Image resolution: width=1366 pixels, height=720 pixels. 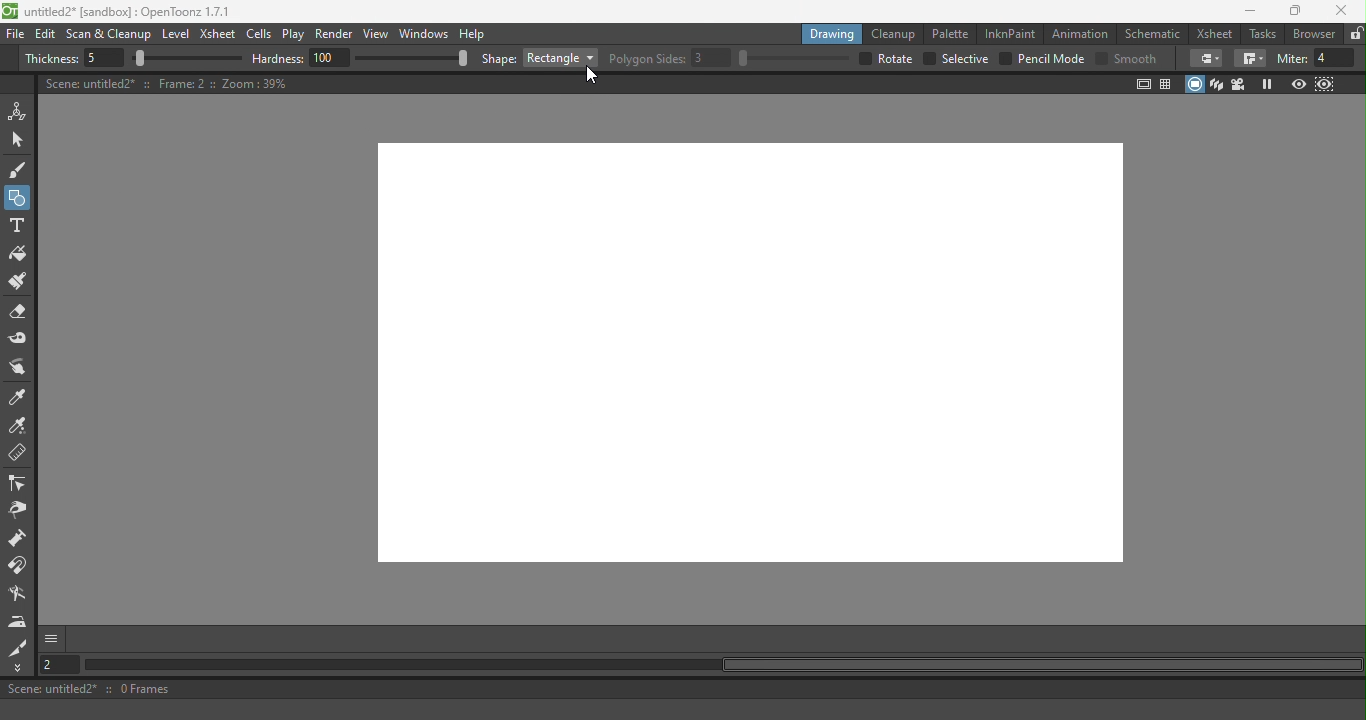 I want to click on Schematic, so click(x=1151, y=32).